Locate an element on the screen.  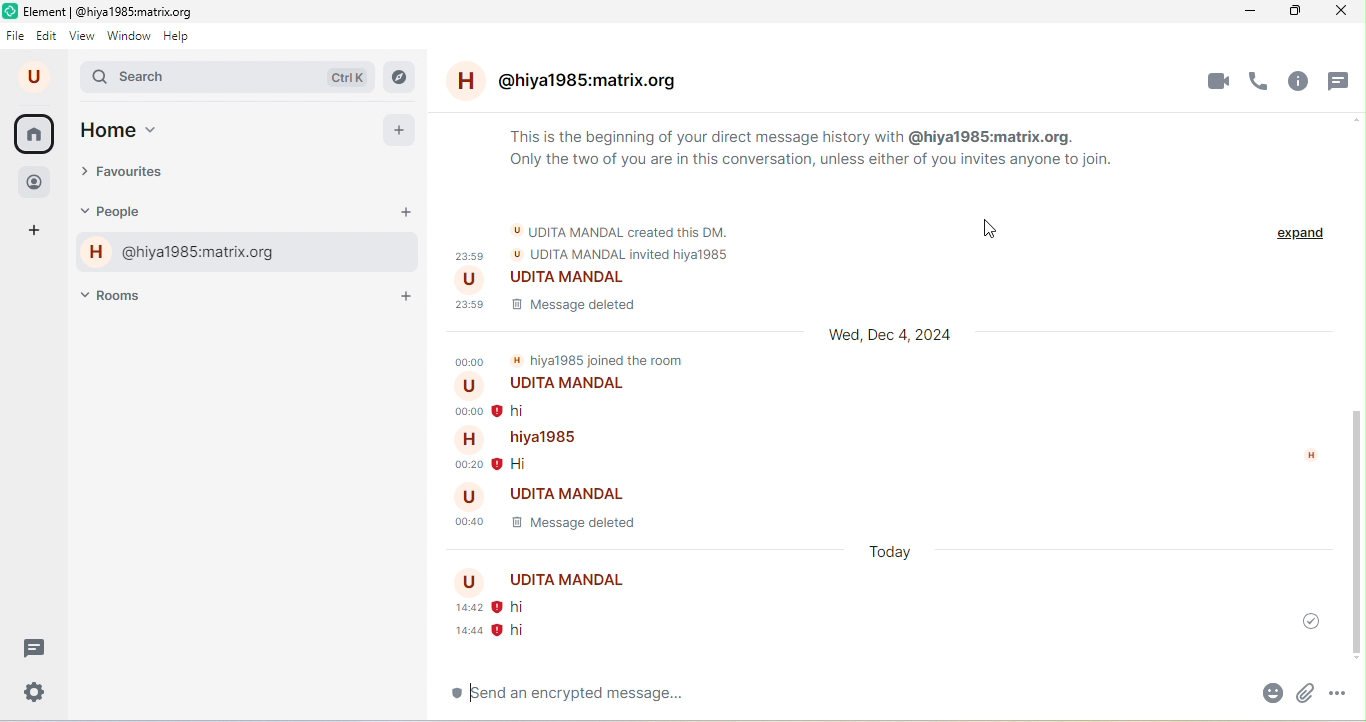
threads is located at coordinates (36, 647).